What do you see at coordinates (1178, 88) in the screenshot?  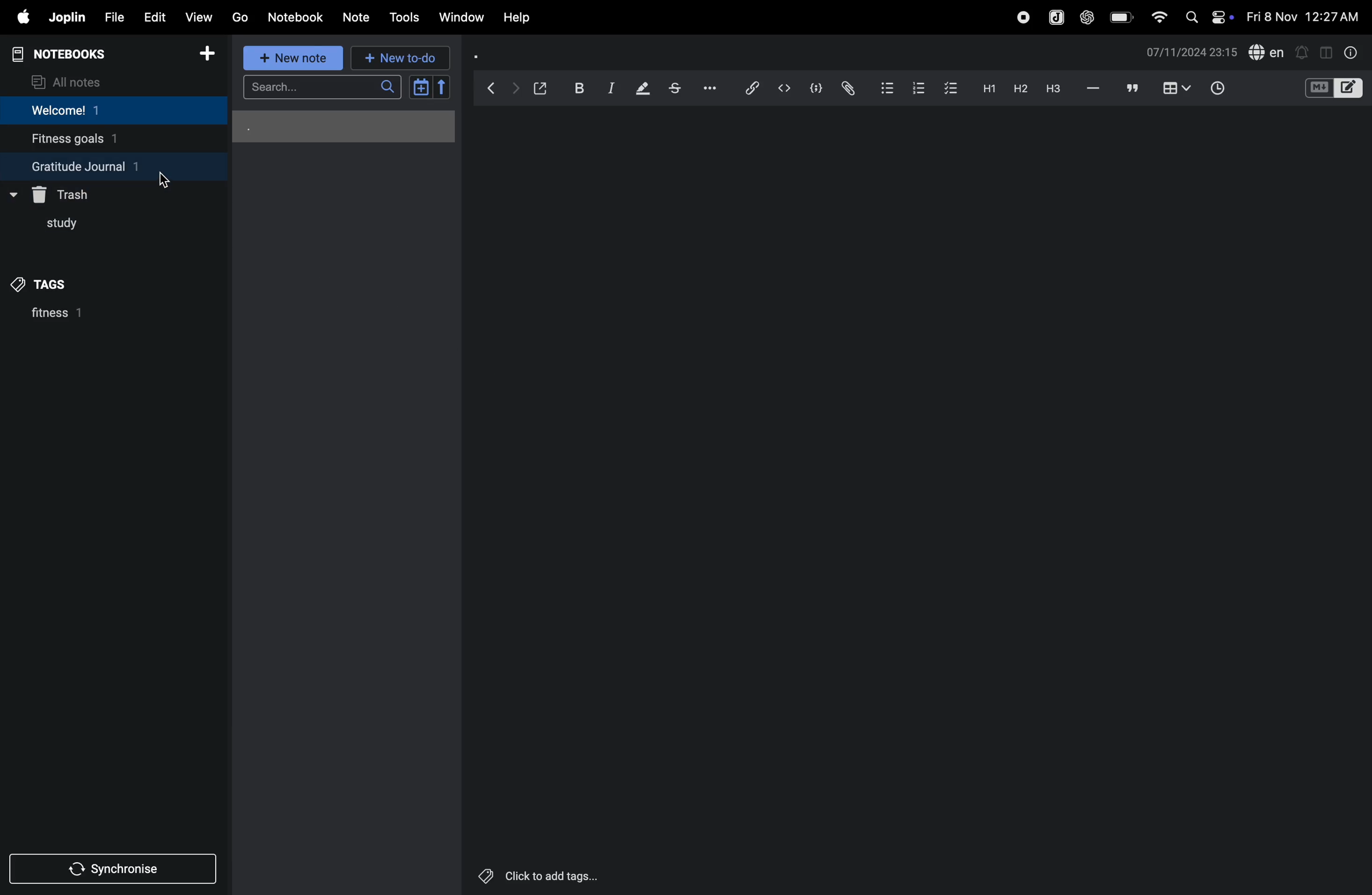 I see `table view` at bounding box center [1178, 88].